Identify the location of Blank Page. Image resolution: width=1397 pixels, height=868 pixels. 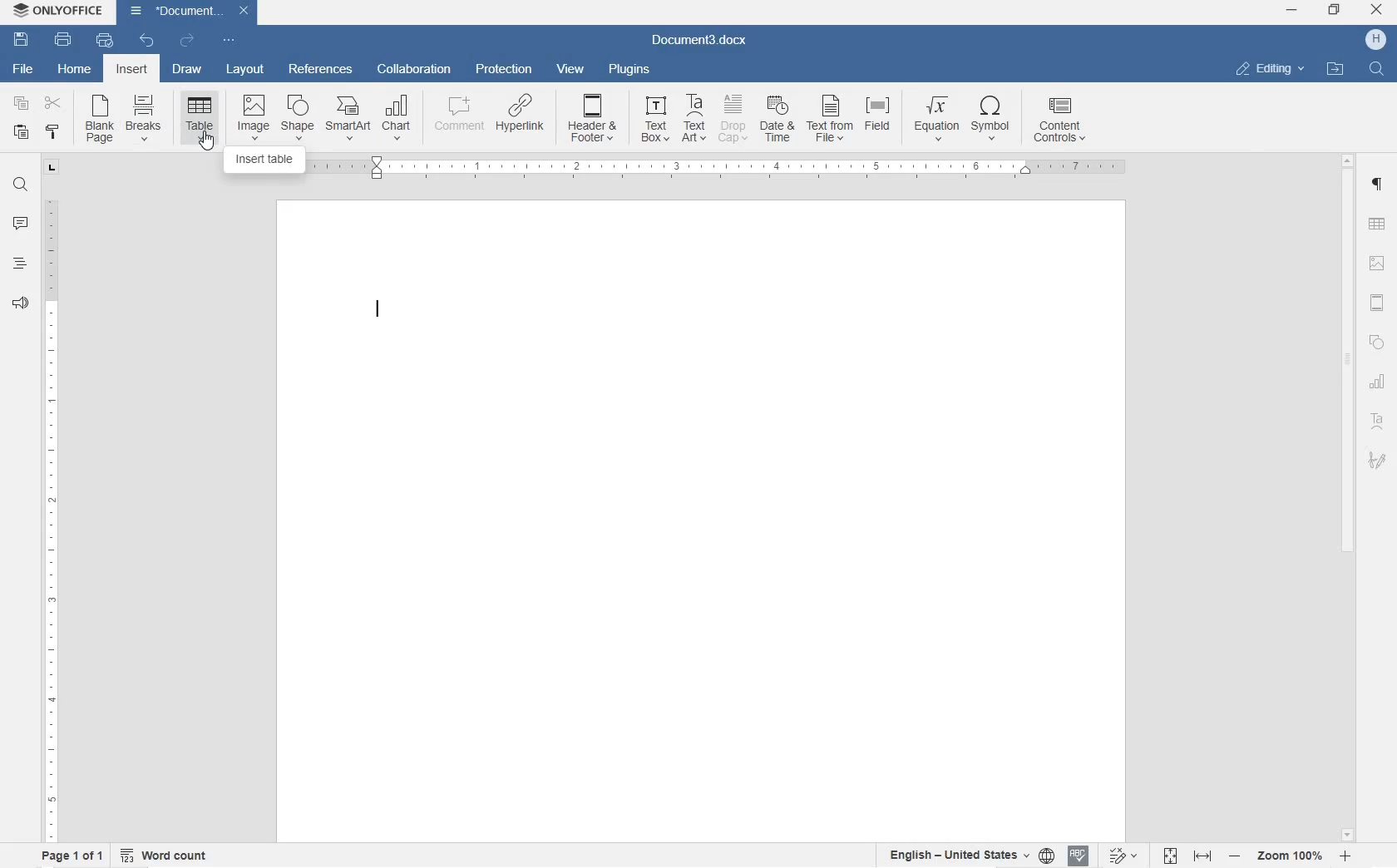
(100, 120).